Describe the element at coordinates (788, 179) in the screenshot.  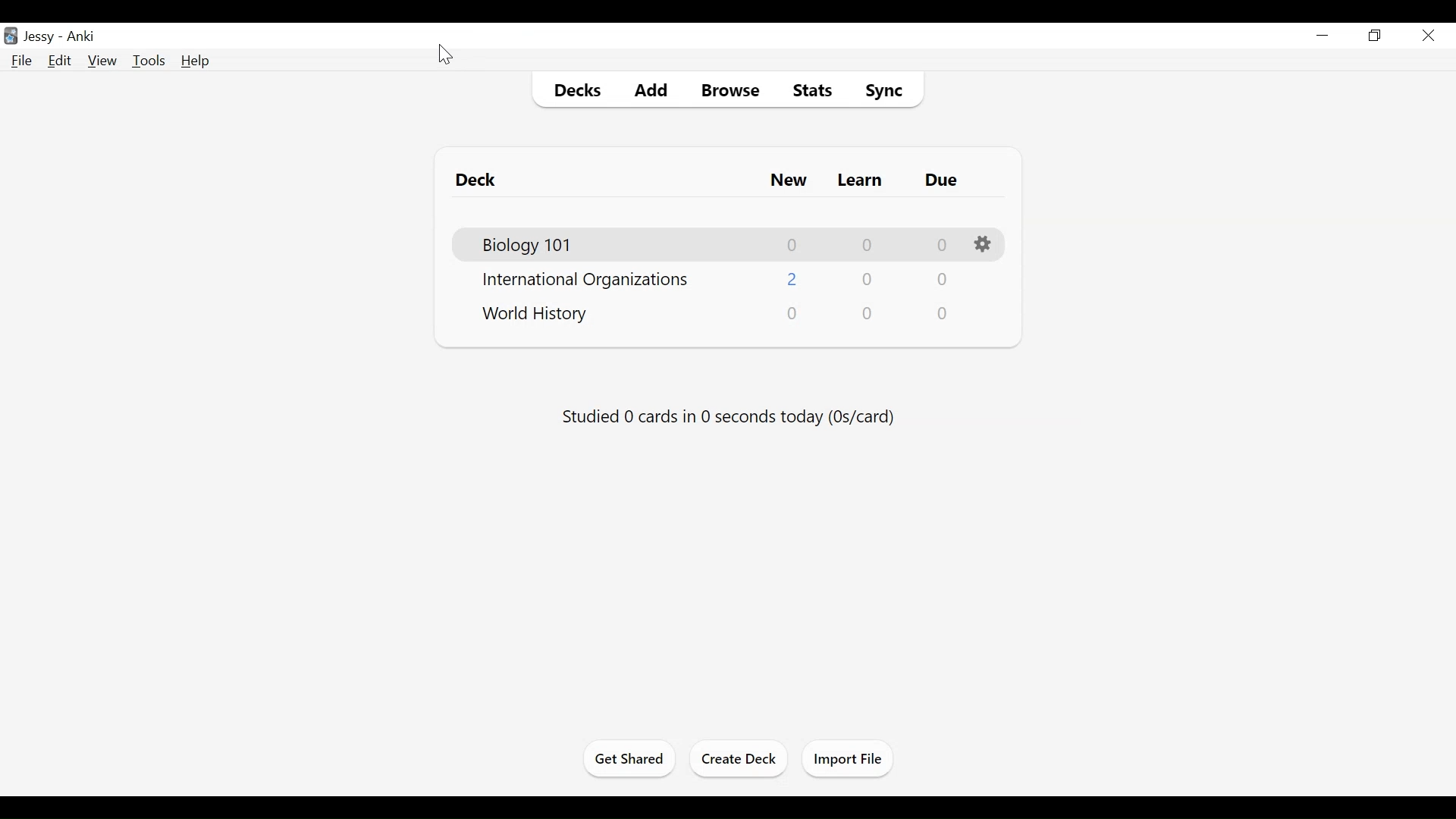
I see `New Card` at that location.